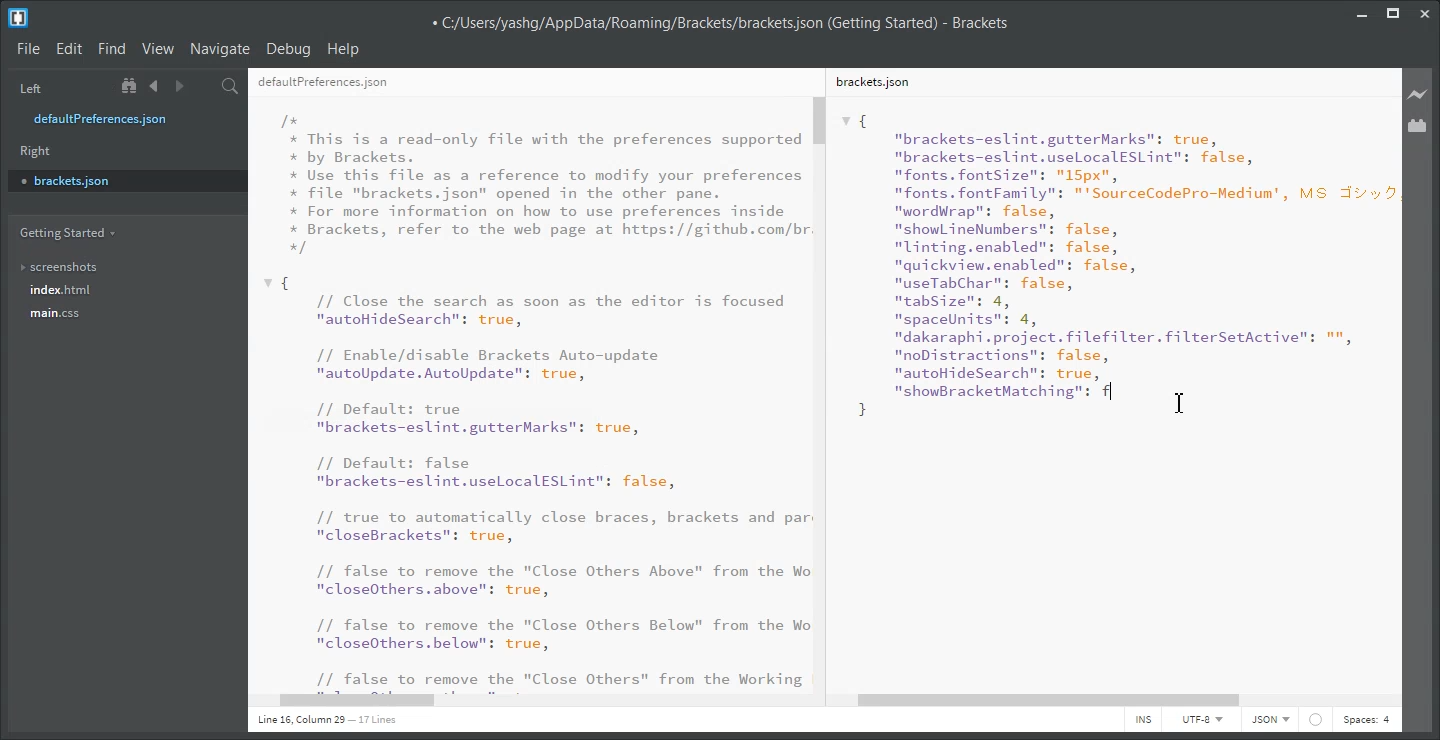 This screenshot has height=740, width=1440. I want to click on Left, so click(28, 87).